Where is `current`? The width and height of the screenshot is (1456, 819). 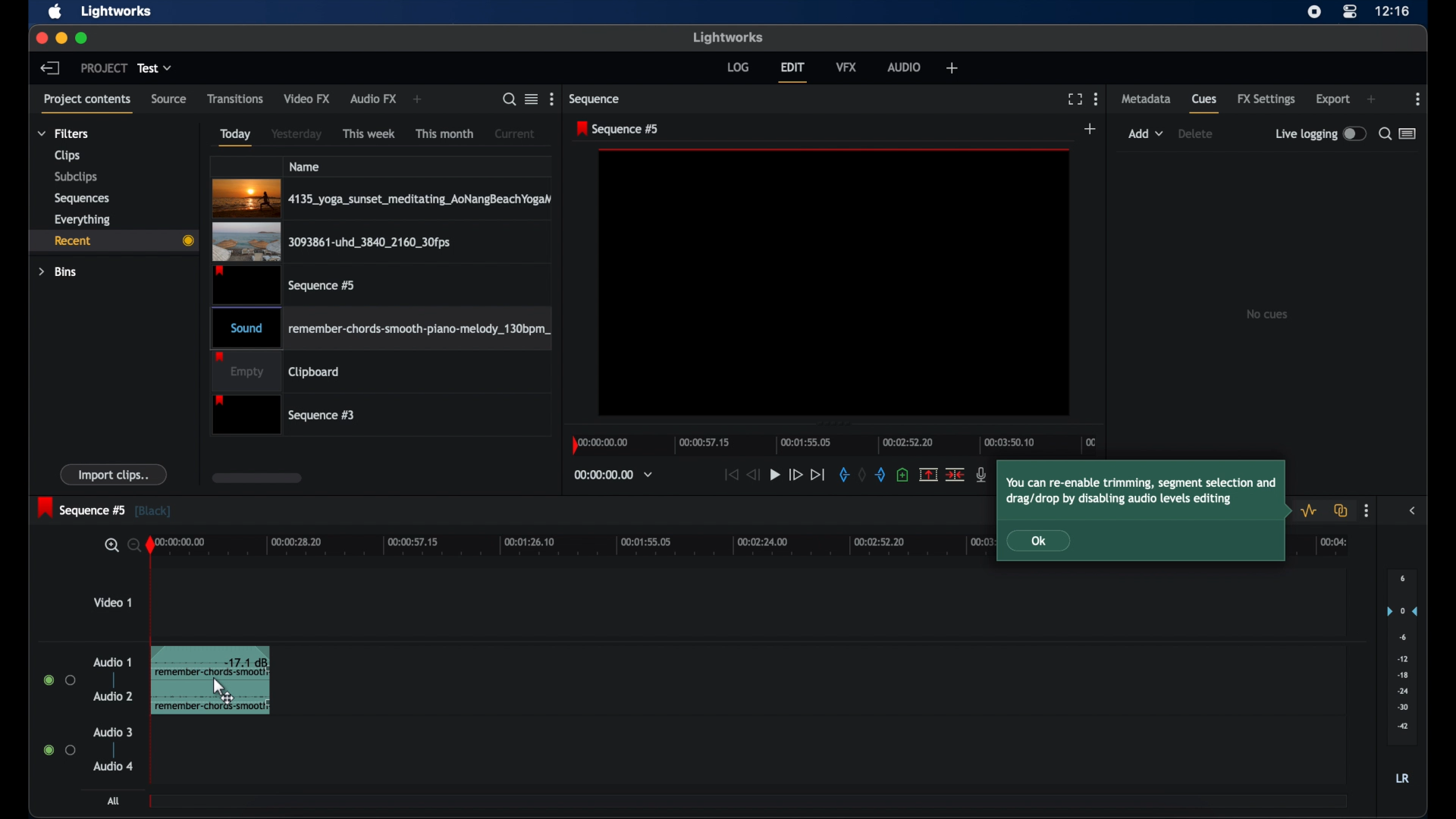
current is located at coordinates (515, 133).